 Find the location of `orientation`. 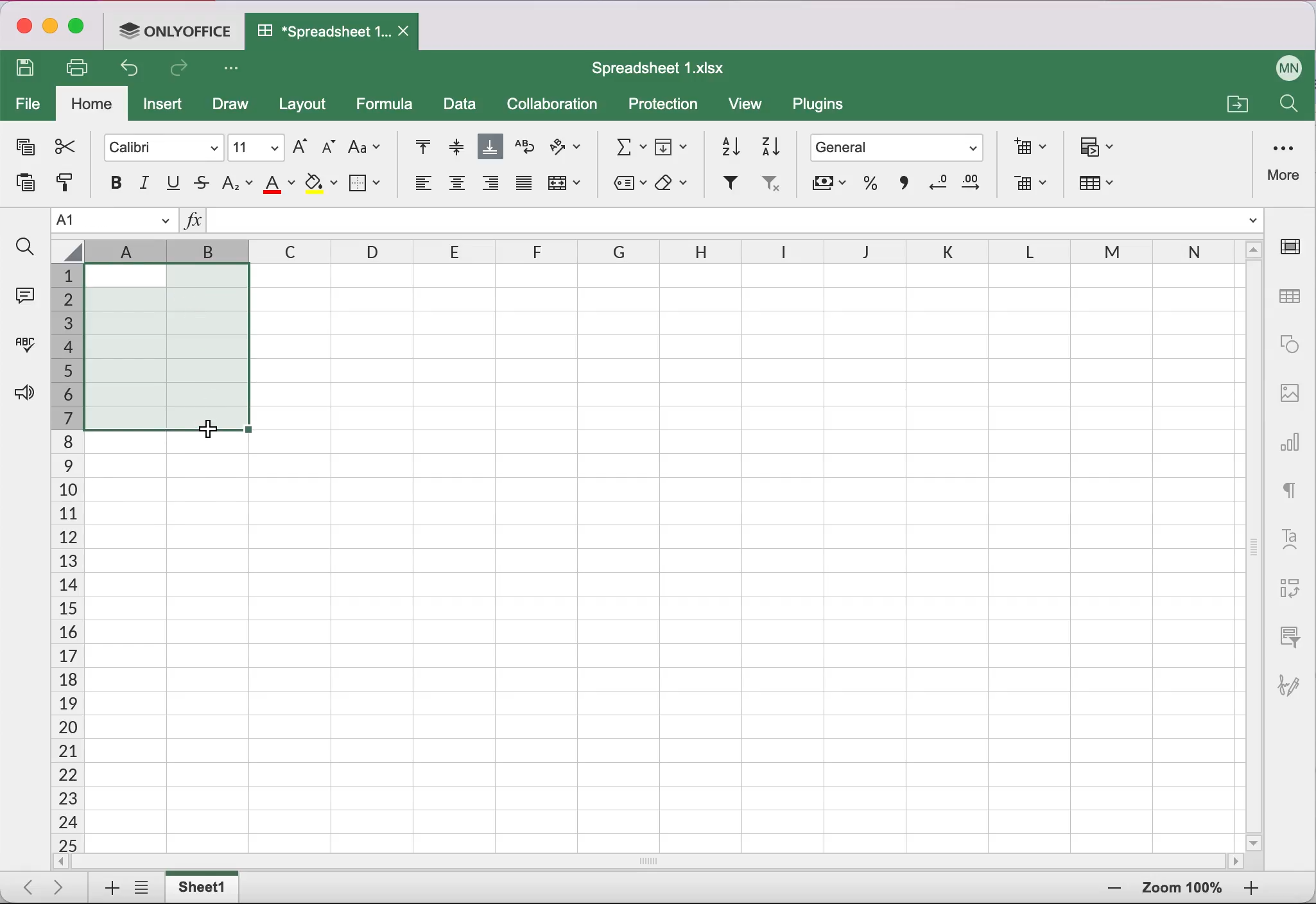

orientation is located at coordinates (566, 149).